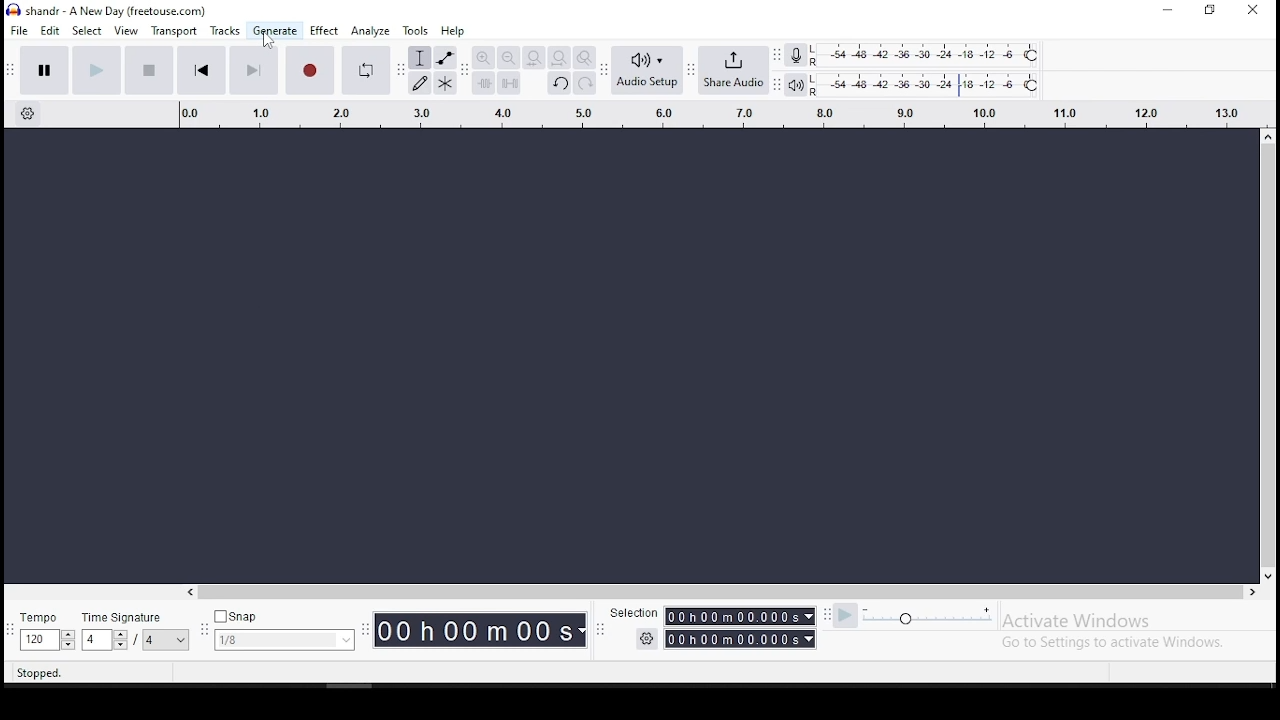 The width and height of the screenshot is (1280, 720). I want to click on play at speed, so click(847, 616).